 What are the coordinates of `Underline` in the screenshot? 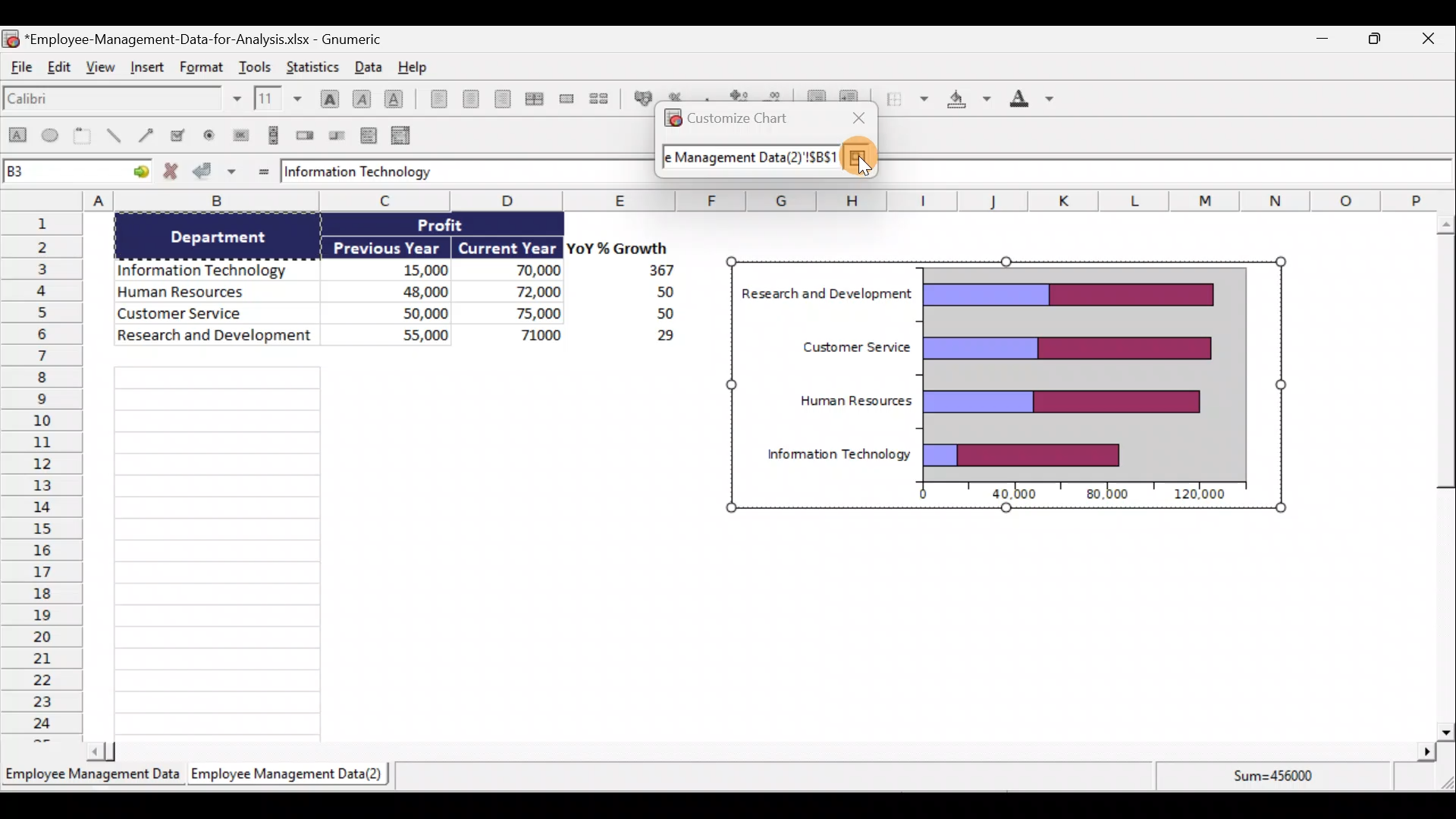 It's located at (394, 96).